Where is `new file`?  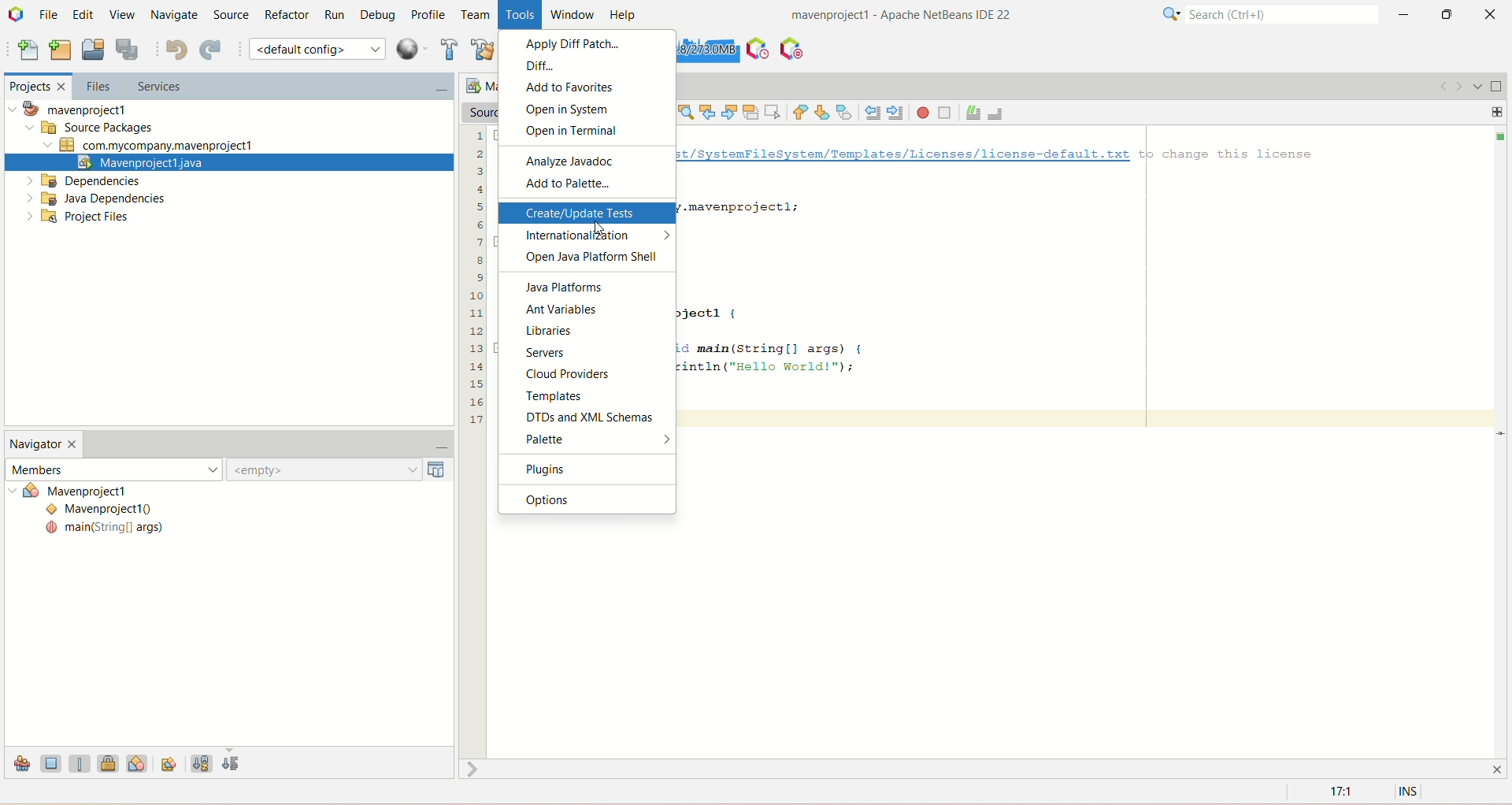 new file is located at coordinates (26, 52).